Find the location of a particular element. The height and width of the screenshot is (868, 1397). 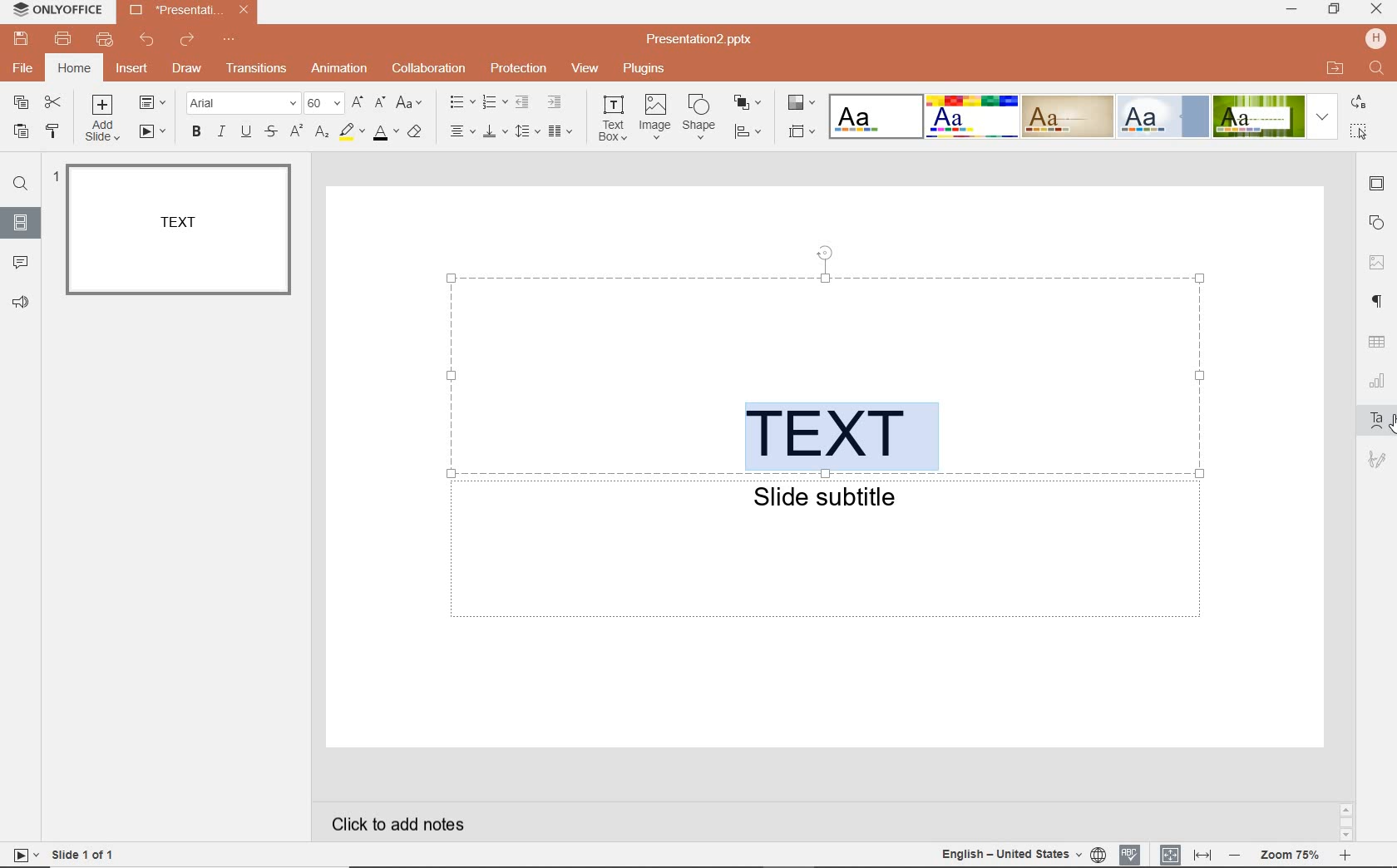

select is located at coordinates (1360, 130).